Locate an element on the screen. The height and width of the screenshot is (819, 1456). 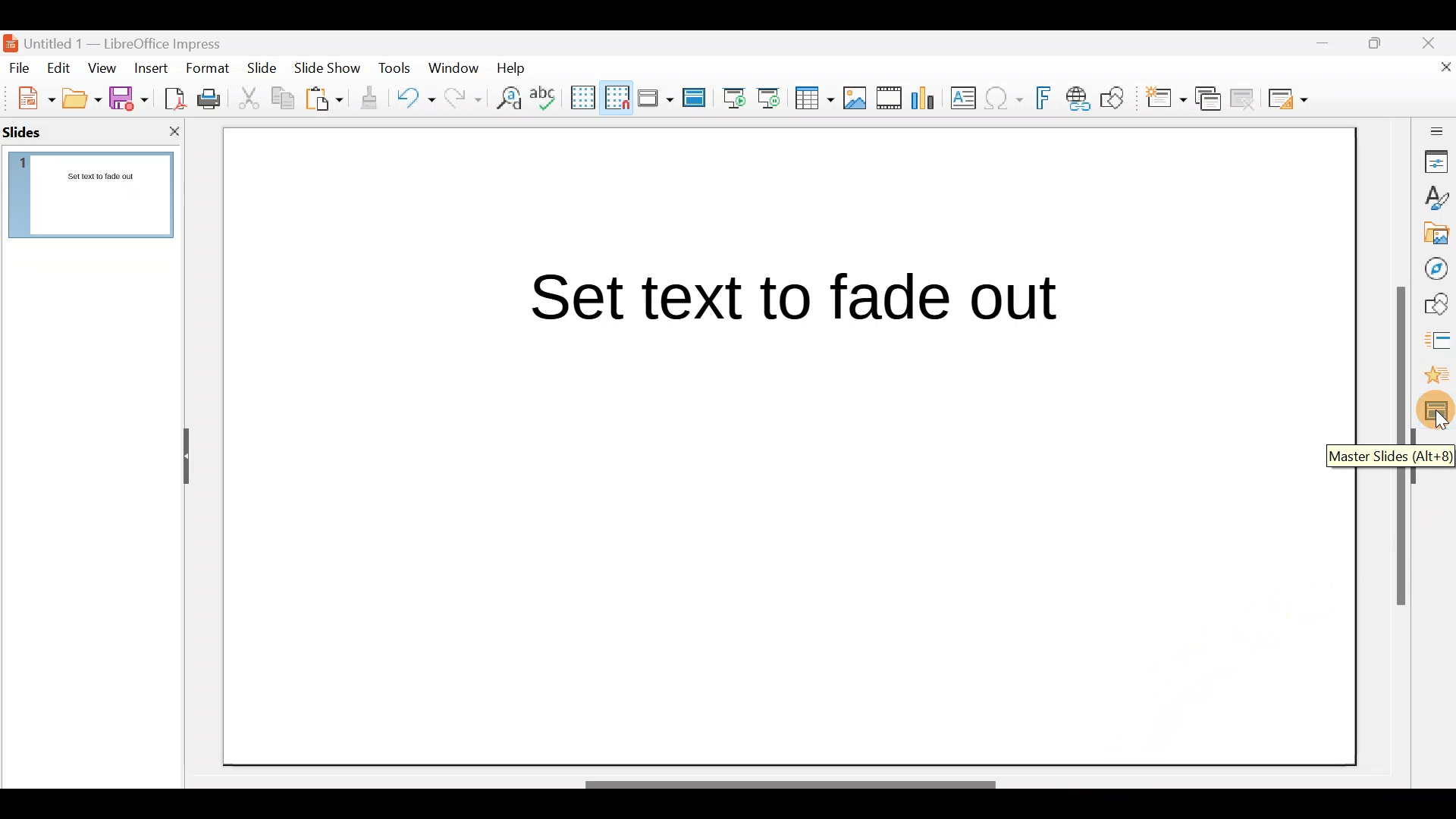
Window is located at coordinates (457, 67).